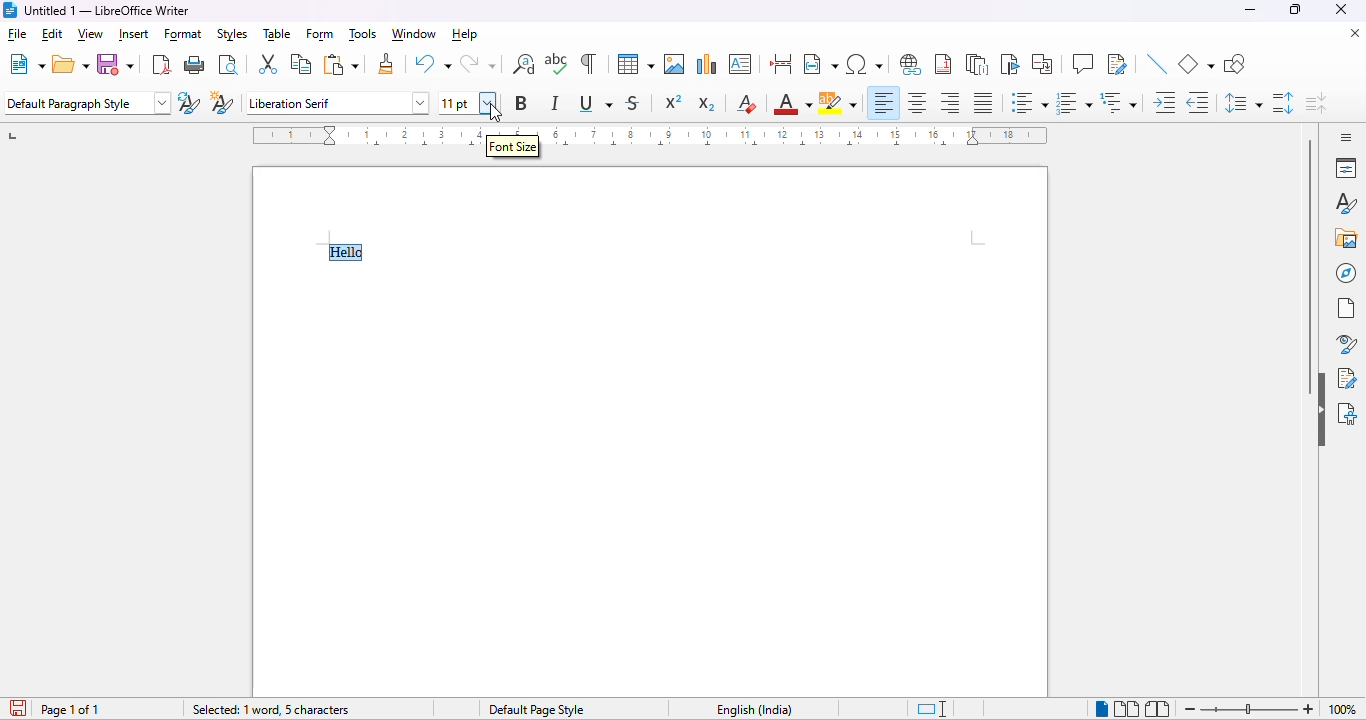  What do you see at coordinates (1346, 204) in the screenshot?
I see `styles` at bounding box center [1346, 204].